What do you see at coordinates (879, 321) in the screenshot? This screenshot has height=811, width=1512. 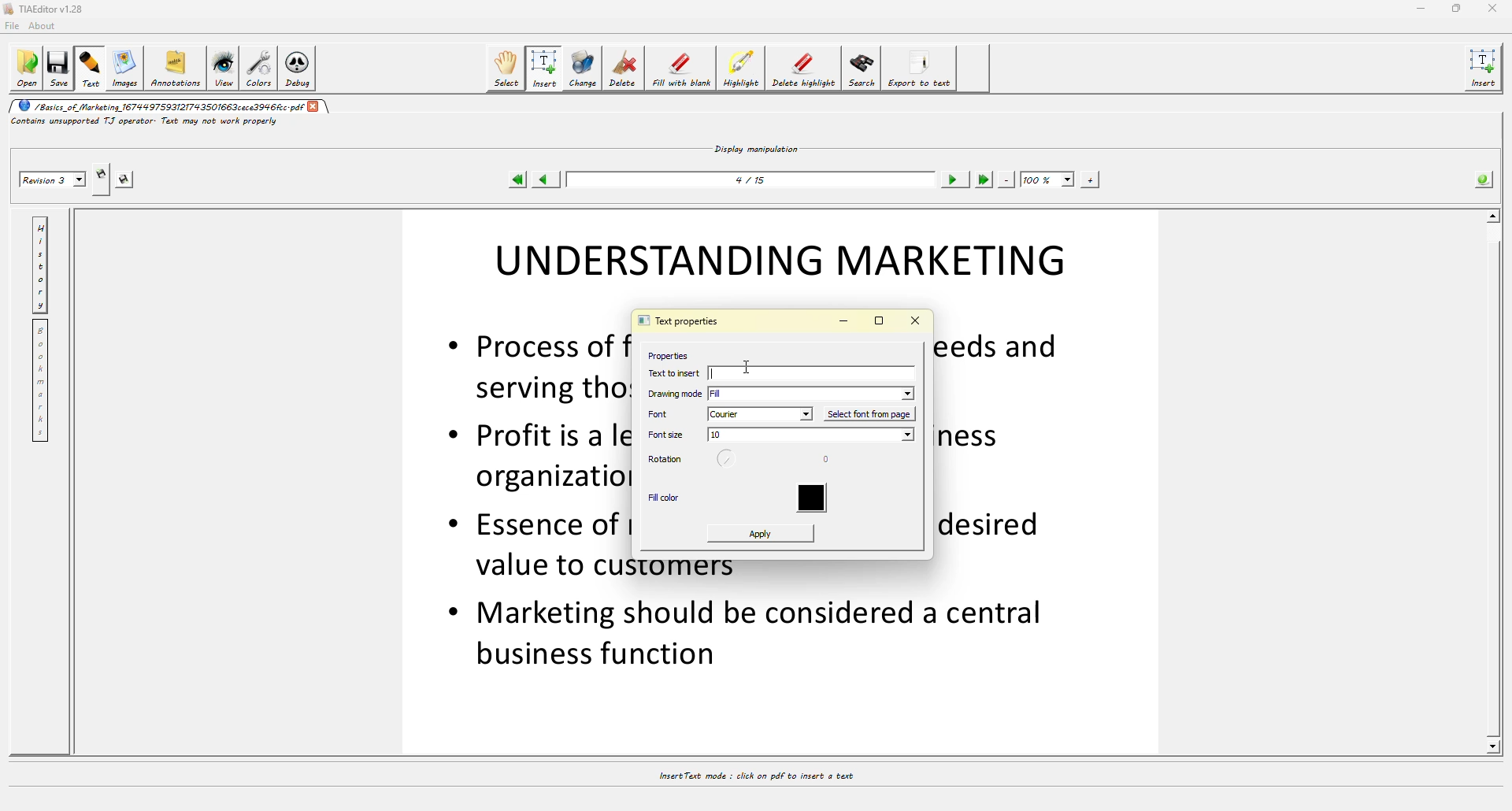 I see `maximize` at bounding box center [879, 321].